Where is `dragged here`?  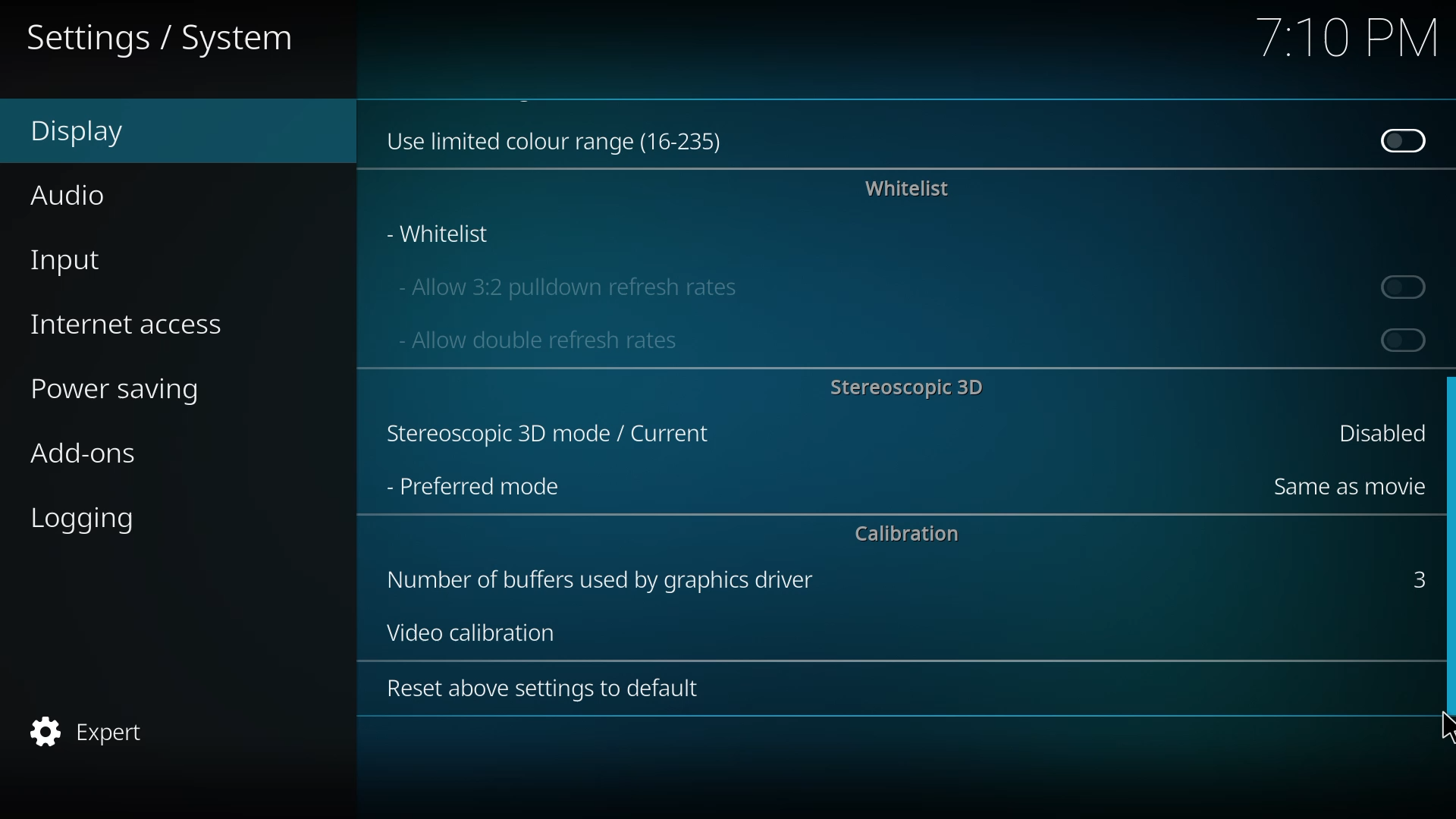 dragged here is located at coordinates (1456, 549).